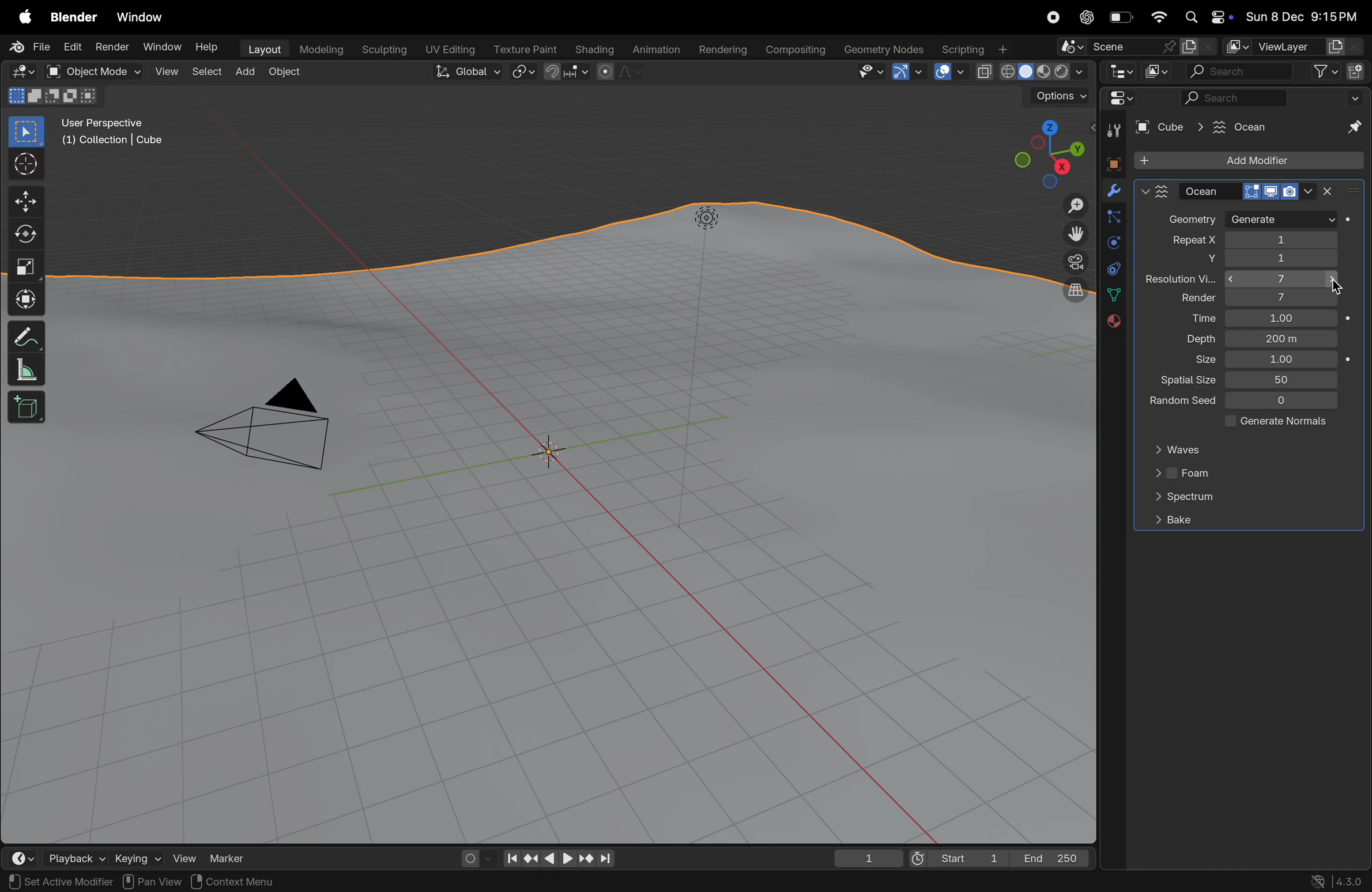 The width and height of the screenshot is (1372, 892). I want to click on spatial size, so click(1183, 381).